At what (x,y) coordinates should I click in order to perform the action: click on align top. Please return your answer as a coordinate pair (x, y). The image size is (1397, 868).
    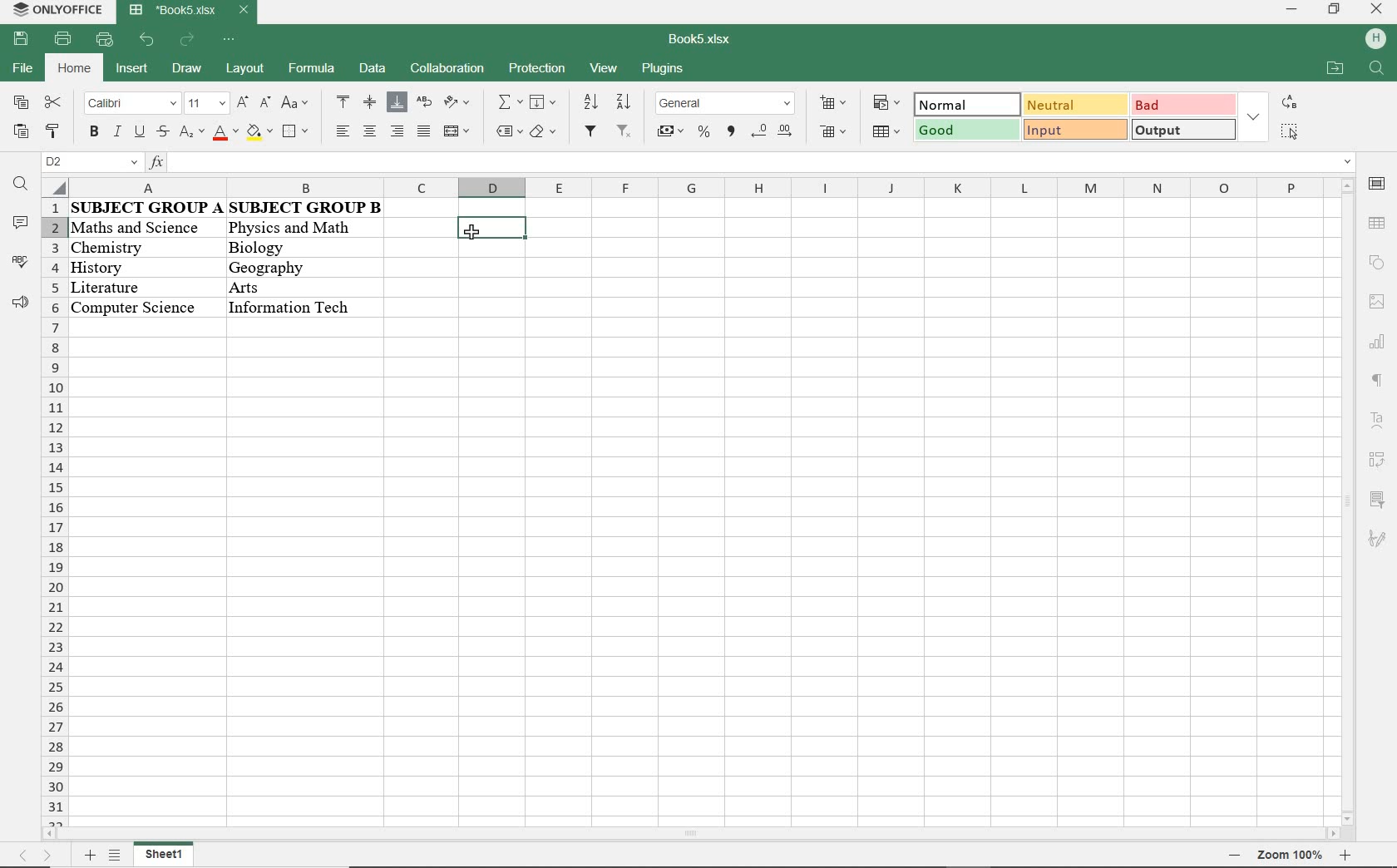
    Looking at the image, I should click on (343, 101).